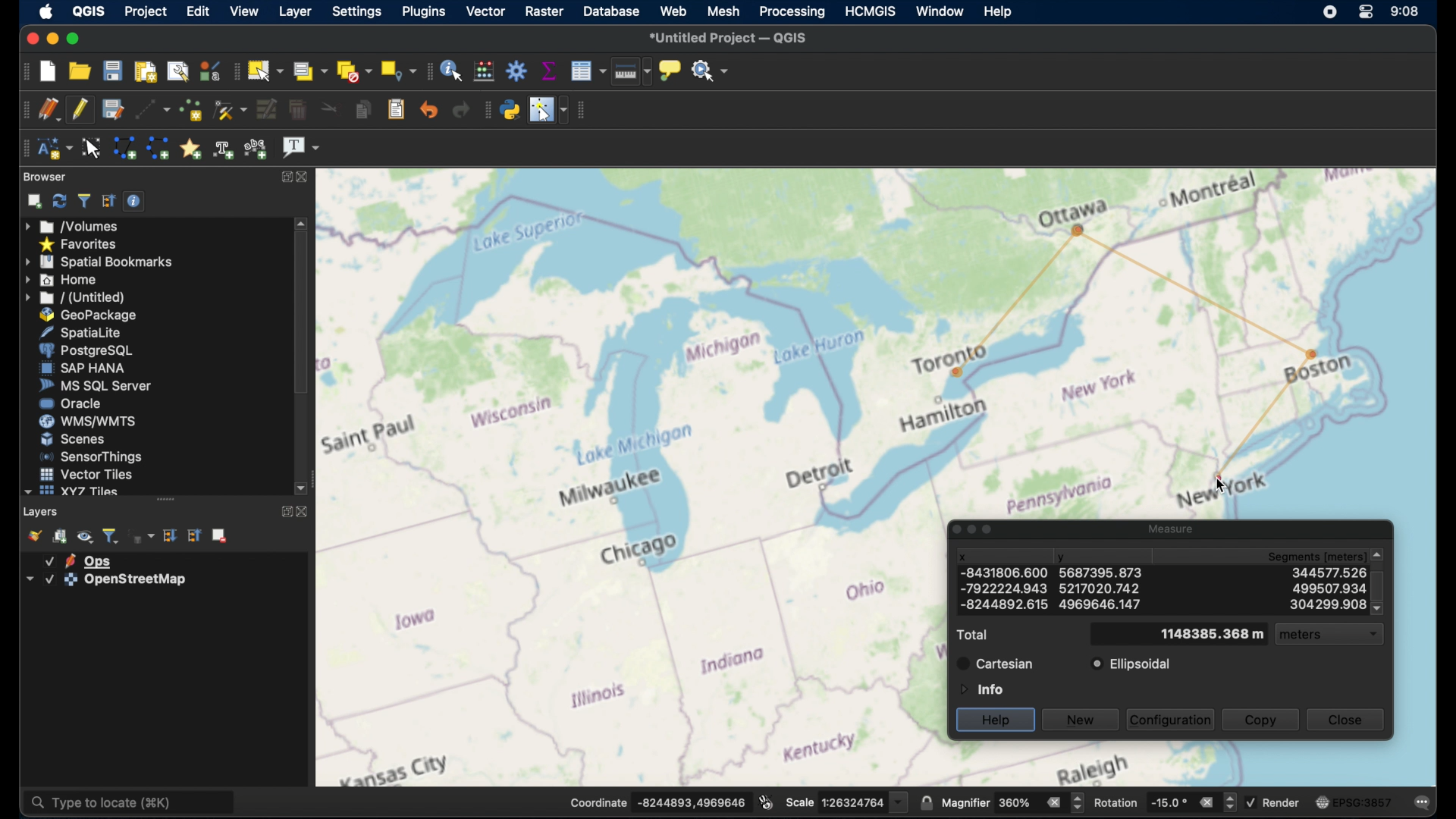 Image resolution: width=1456 pixels, height=819 pixels. I want to click on identify features, so click(453, 69).